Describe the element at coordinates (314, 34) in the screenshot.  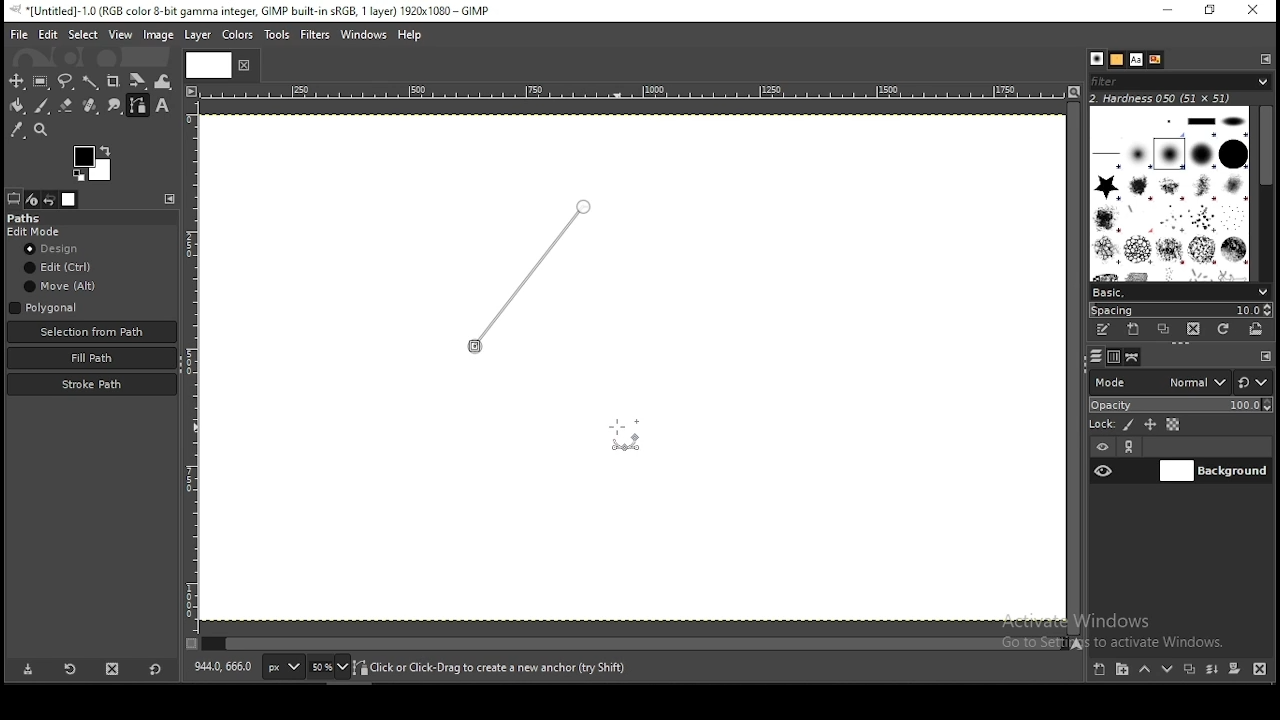
I see `filters` at that location.